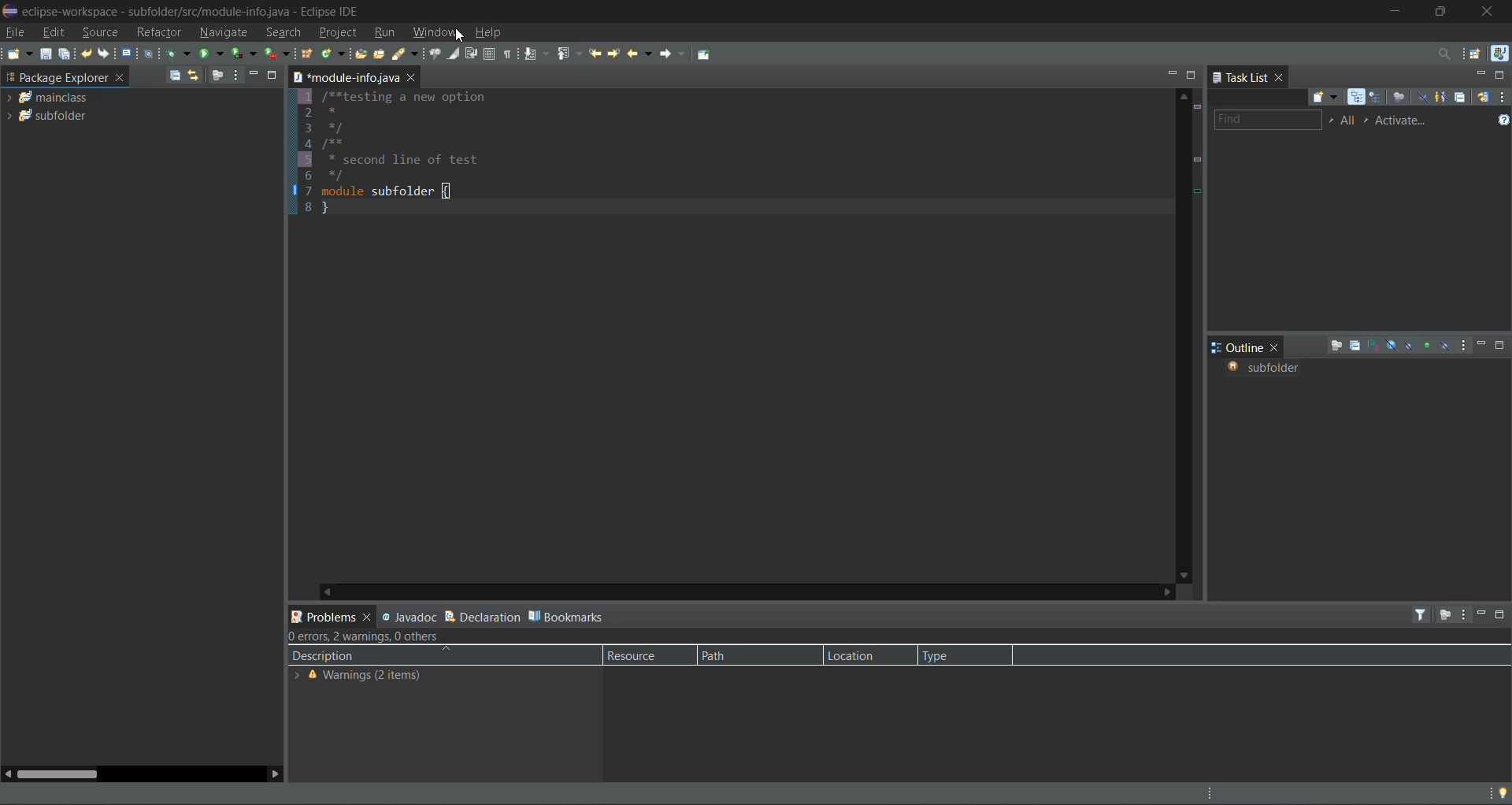 The height and width of the screenshot is (805, 1512). What do you see at coordinates (254, 76) in the screenshot?
I see `minimize` at bounding box center [254, 76].